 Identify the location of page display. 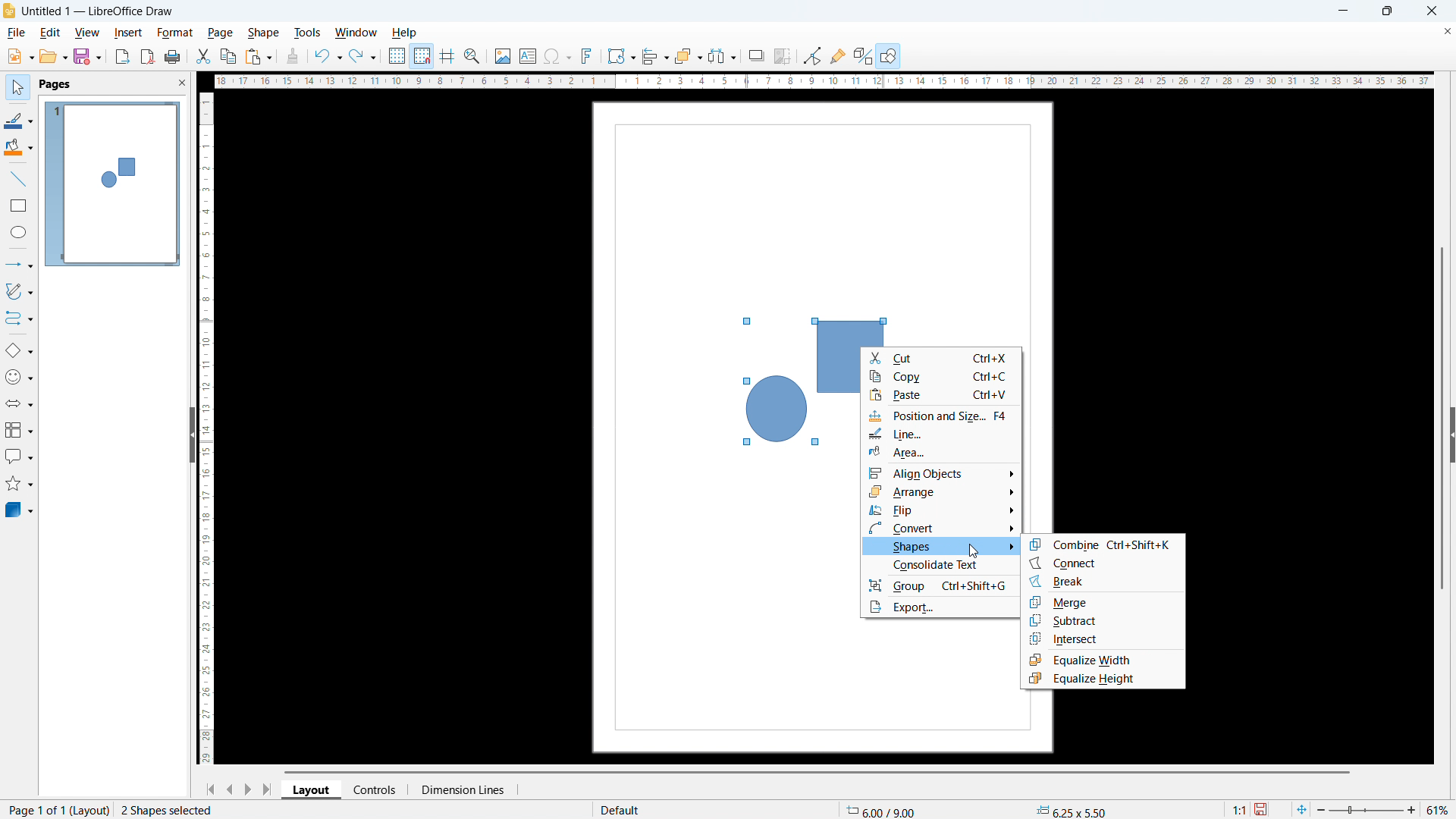
(115, 184).